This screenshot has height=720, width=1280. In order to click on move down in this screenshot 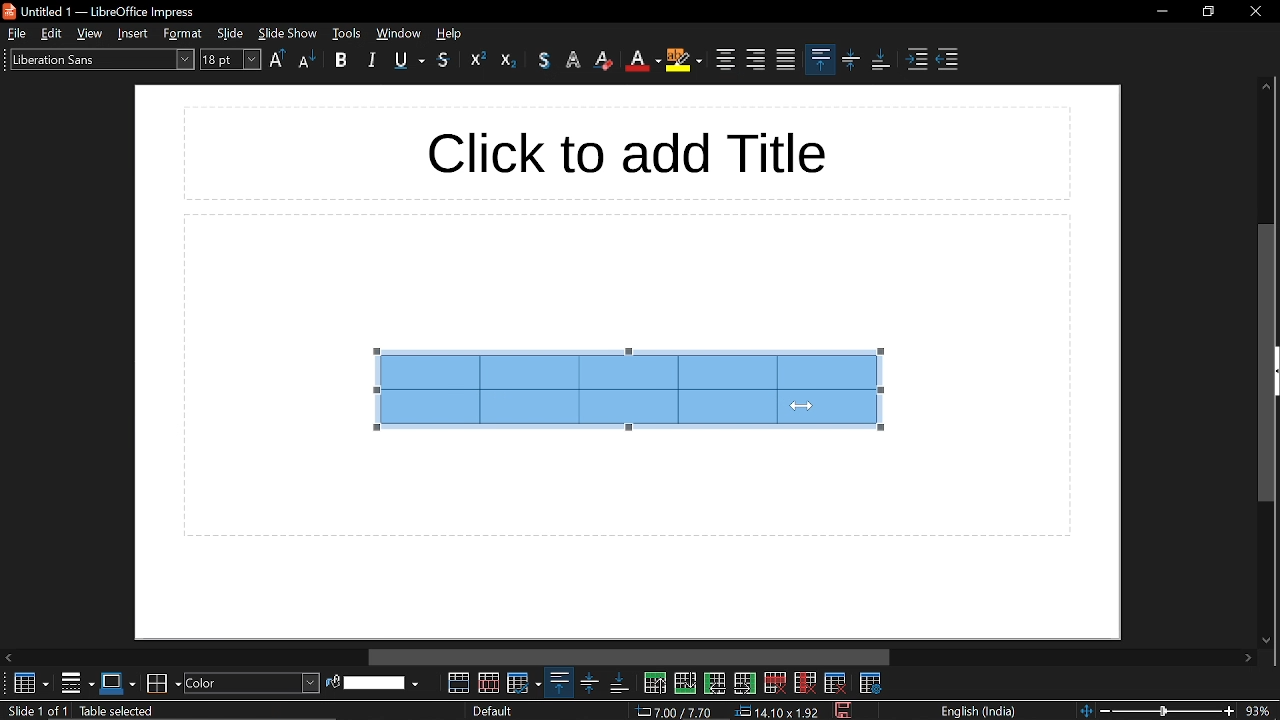, I will do `click(1268, 638)`.